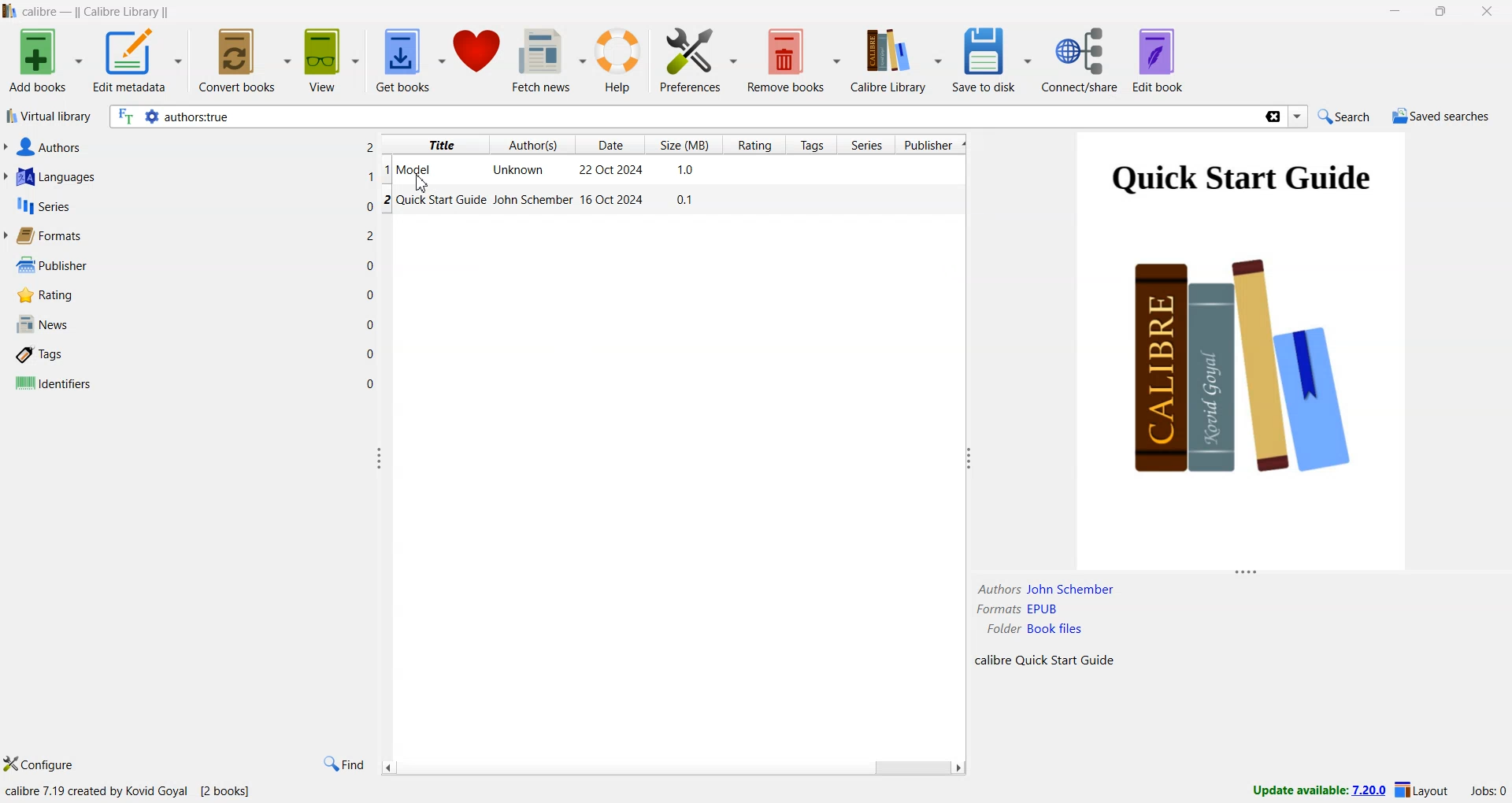  Describe the element at coordinates (371, 353) in the screenshot. I see `0` at that location.